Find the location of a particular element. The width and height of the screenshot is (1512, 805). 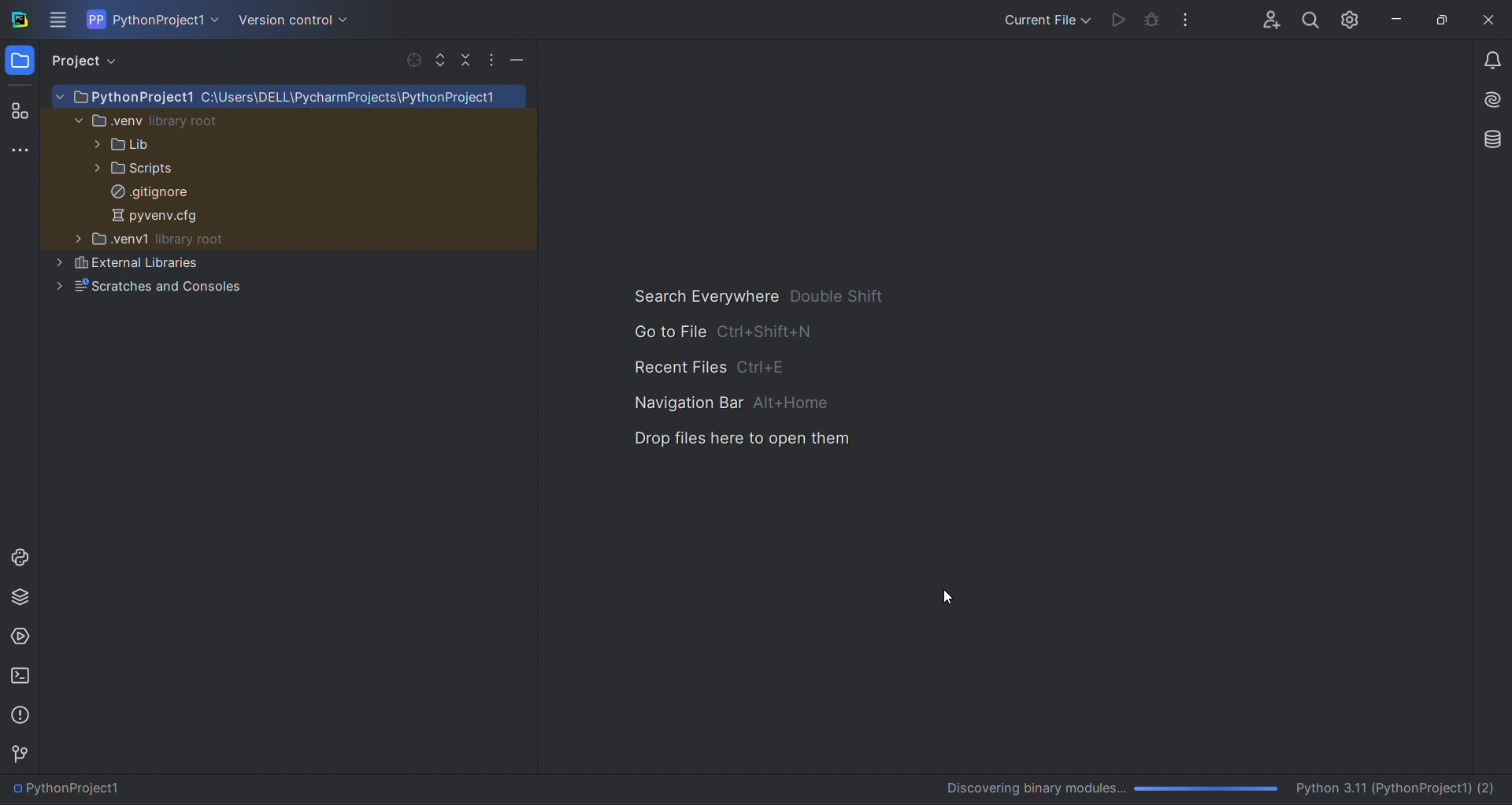

expand file is located at coordinates (440, 61).